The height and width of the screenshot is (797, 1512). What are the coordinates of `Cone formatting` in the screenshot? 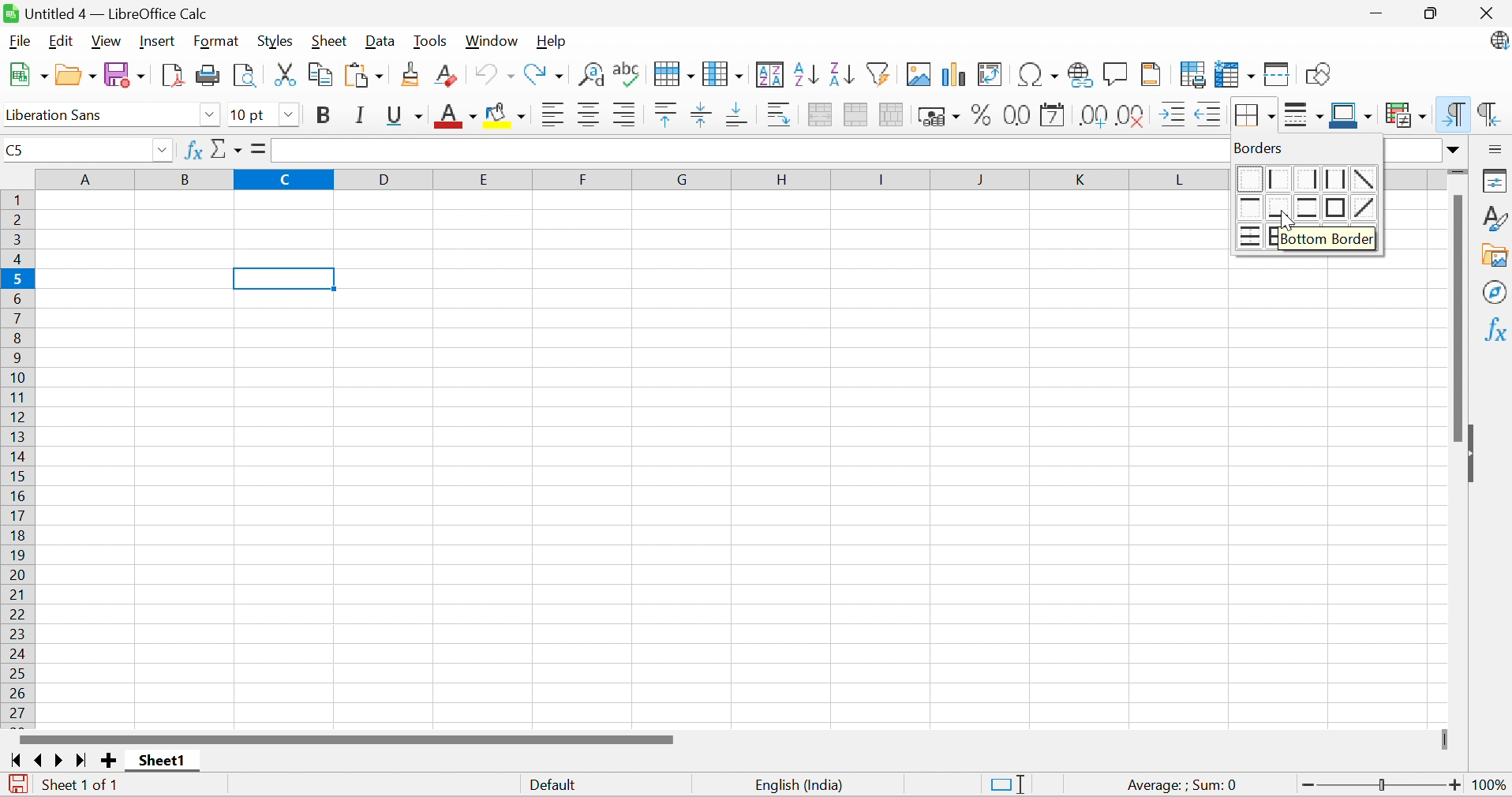 It's located at (412, 75).